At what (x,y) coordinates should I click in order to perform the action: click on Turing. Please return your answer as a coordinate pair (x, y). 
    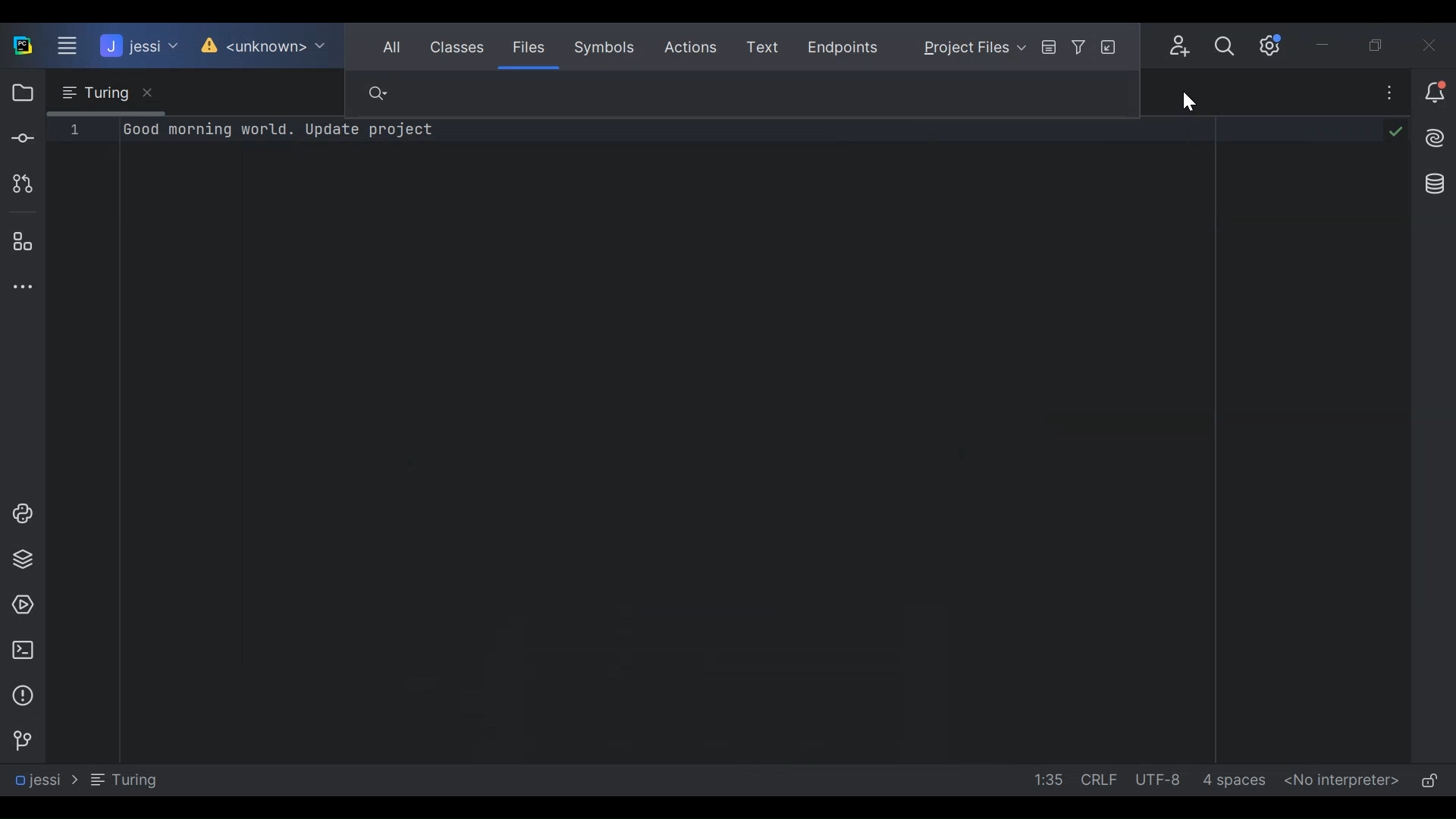
    Looking at the image, I should click on (120, 779).